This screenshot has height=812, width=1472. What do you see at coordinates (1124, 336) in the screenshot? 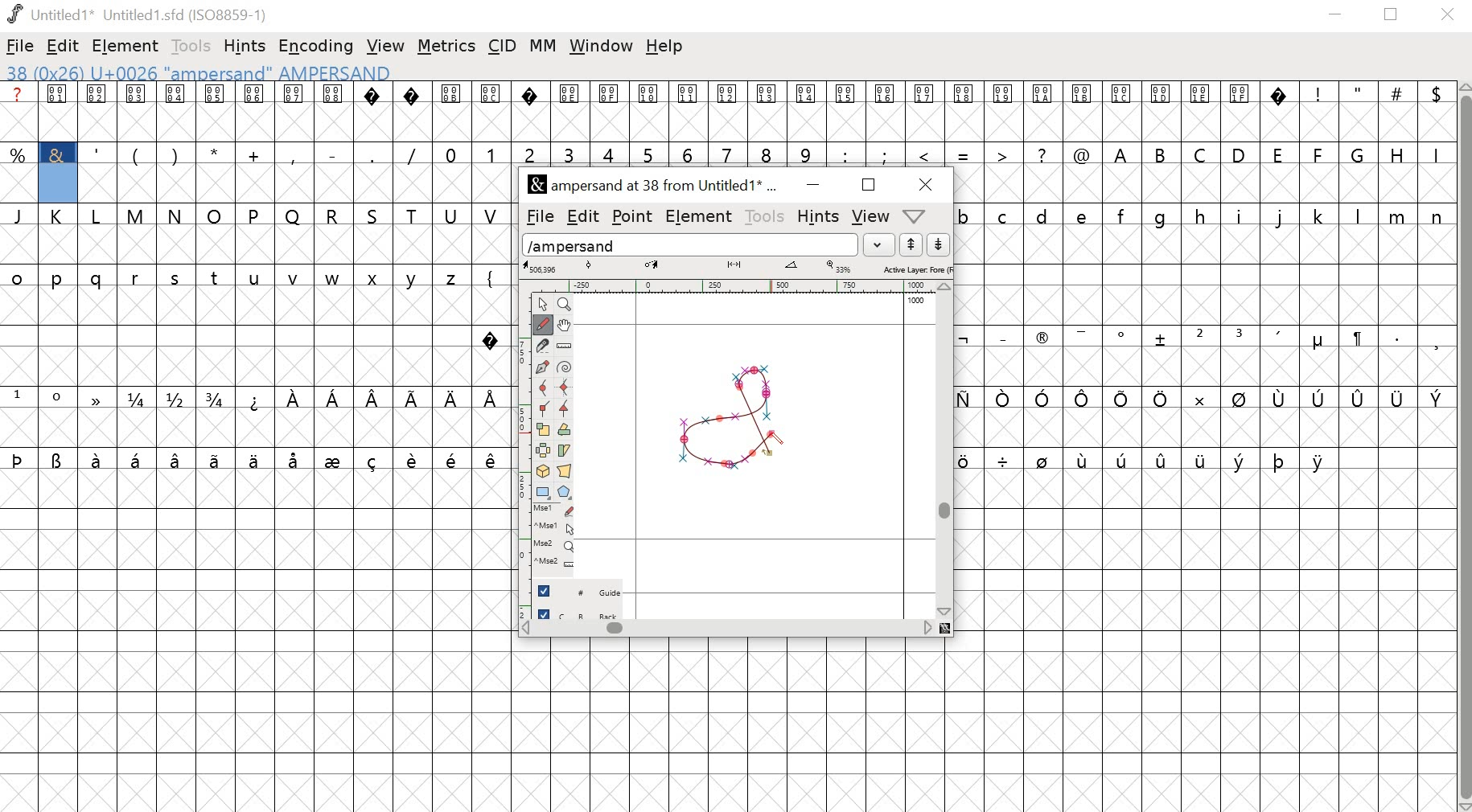
I see `Symbol` at bounding box center [1124, 336].